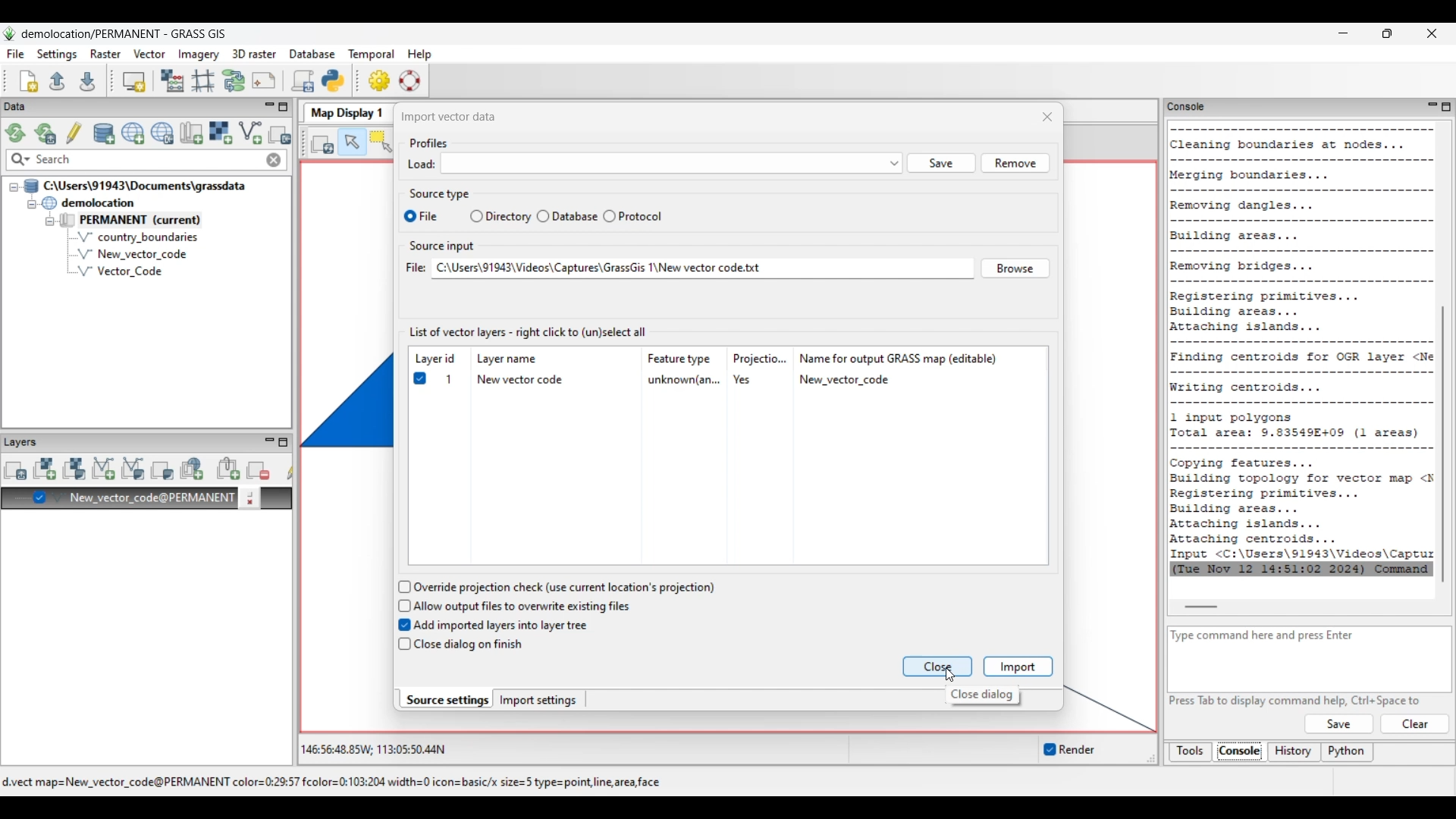 The width and height of the screenshot is (1456, 819). I want to click on Close, so click(939, 667).